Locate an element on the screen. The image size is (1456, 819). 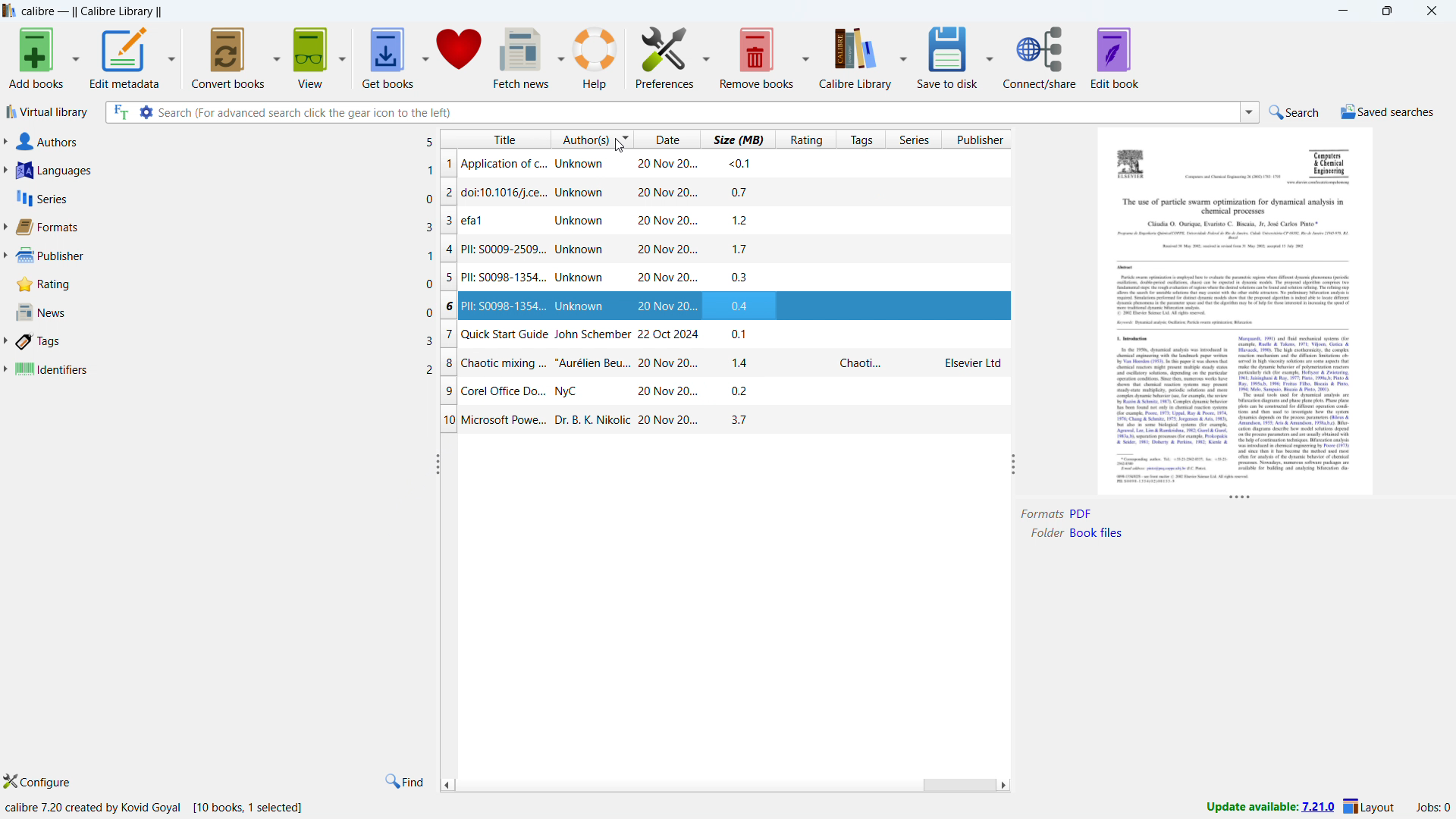
fetch news is located at coordinates (521, 57).